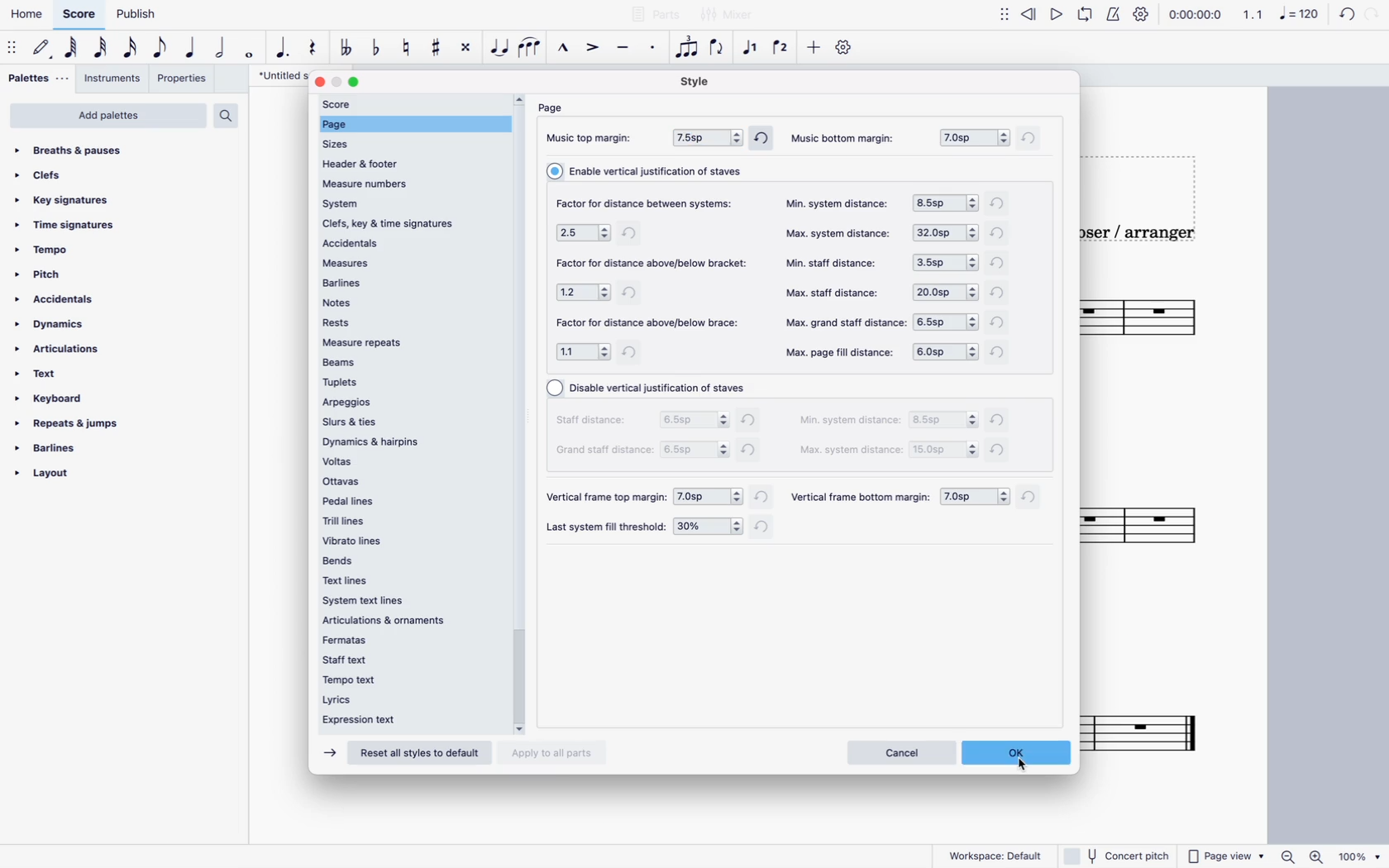 Image resolution: width=1389 pixels, height=868 pixels. Describe the element at coordinates (189, 50) in the screenshot. I see `quarter note` at that location.